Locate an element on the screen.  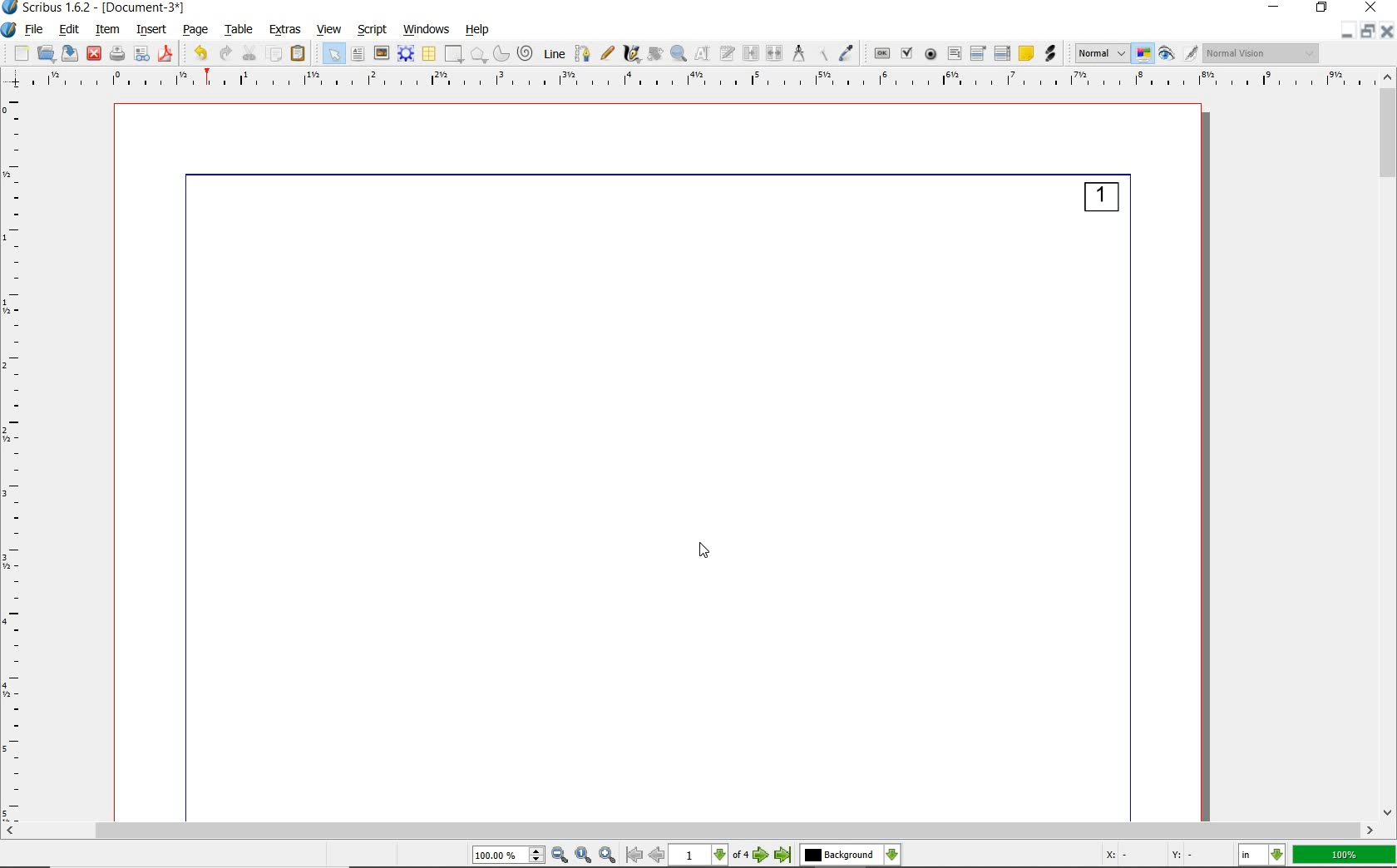
rotate item is located at coordinates (654, 53).